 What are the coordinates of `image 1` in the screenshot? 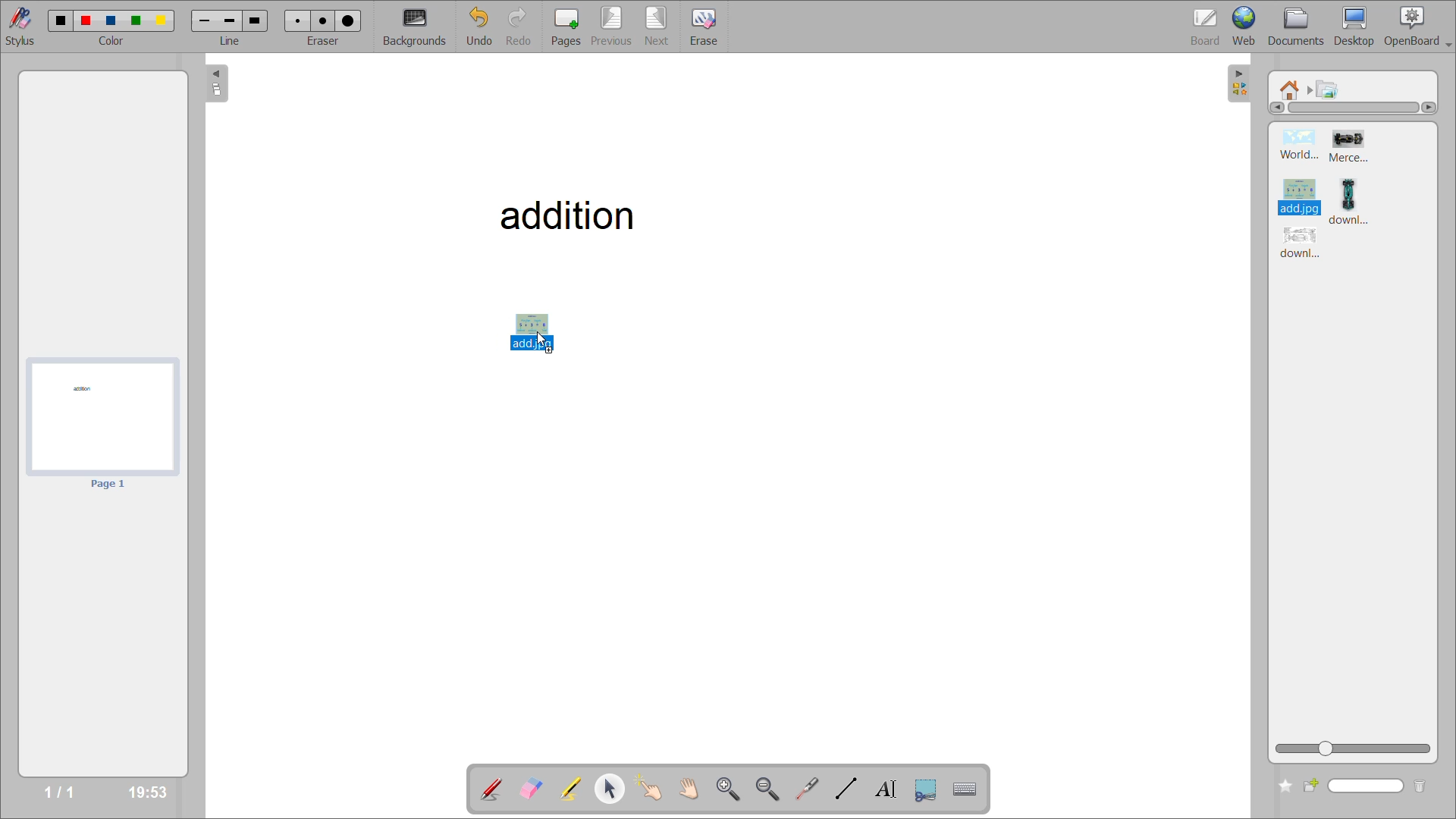 It's located at (1300, 146).